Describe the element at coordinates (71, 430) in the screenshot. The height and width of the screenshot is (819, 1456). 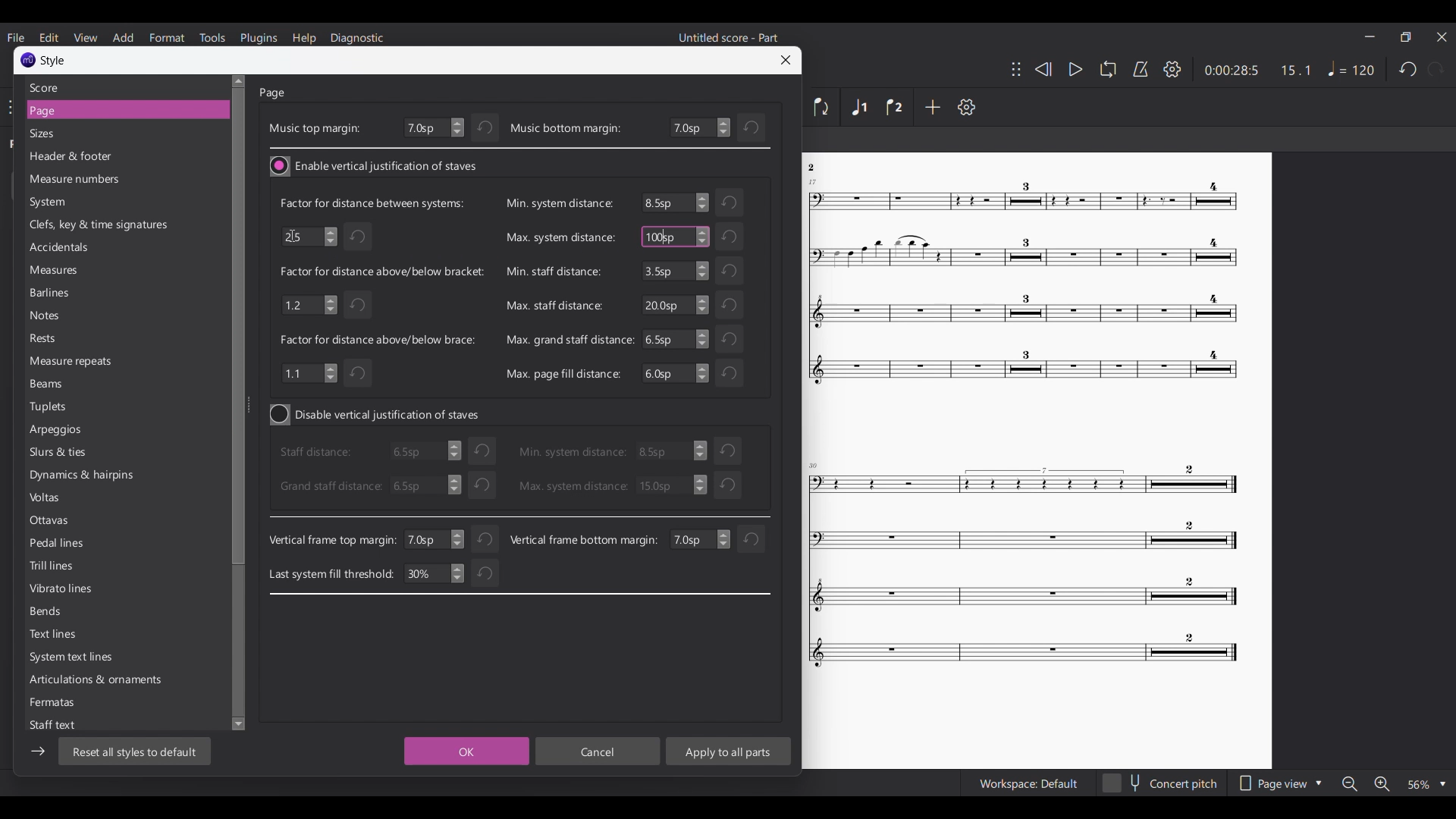
I see `Arpeggias` at that location.